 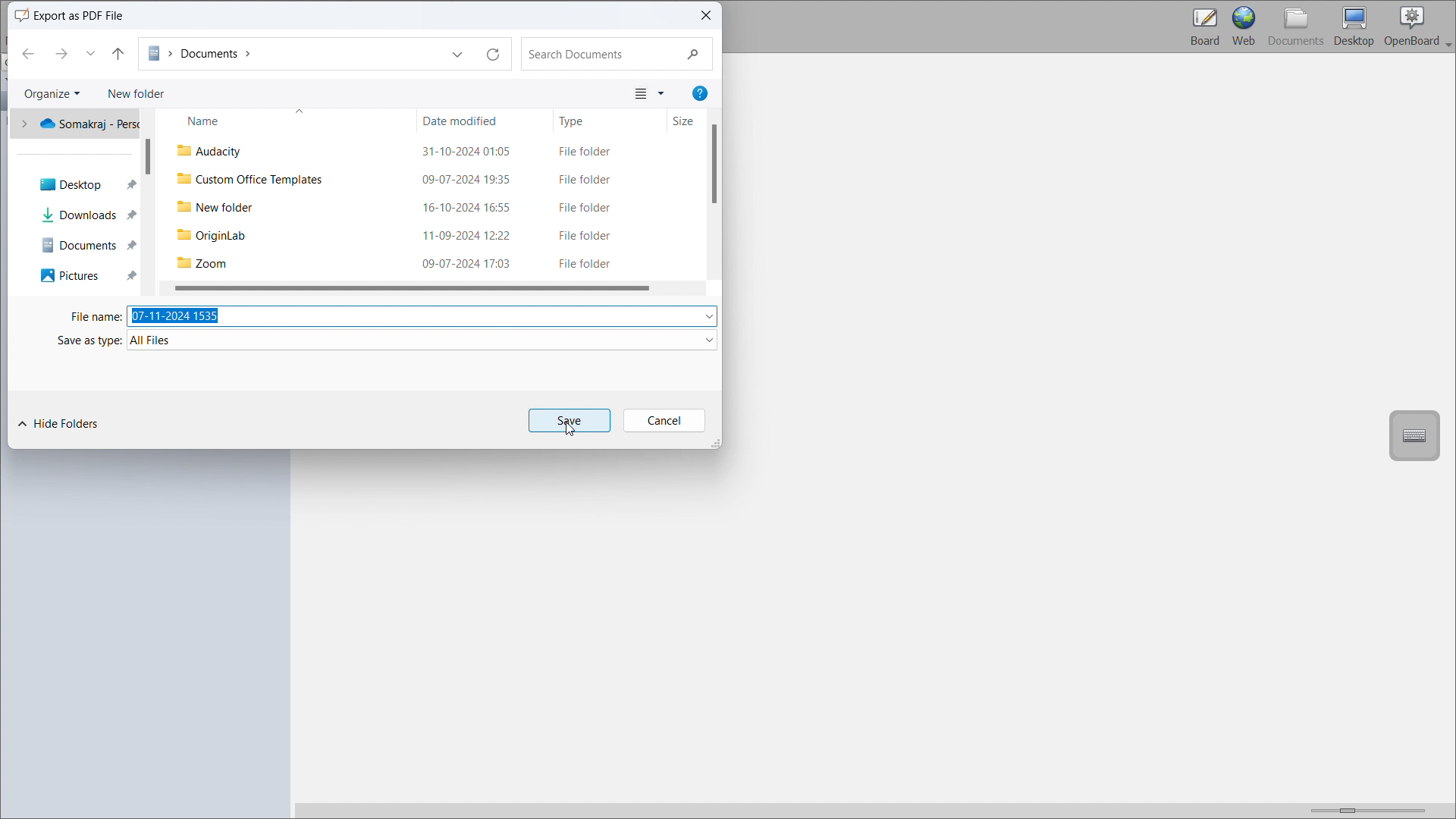 I want to click on documents, so click(x=1297, y=27).